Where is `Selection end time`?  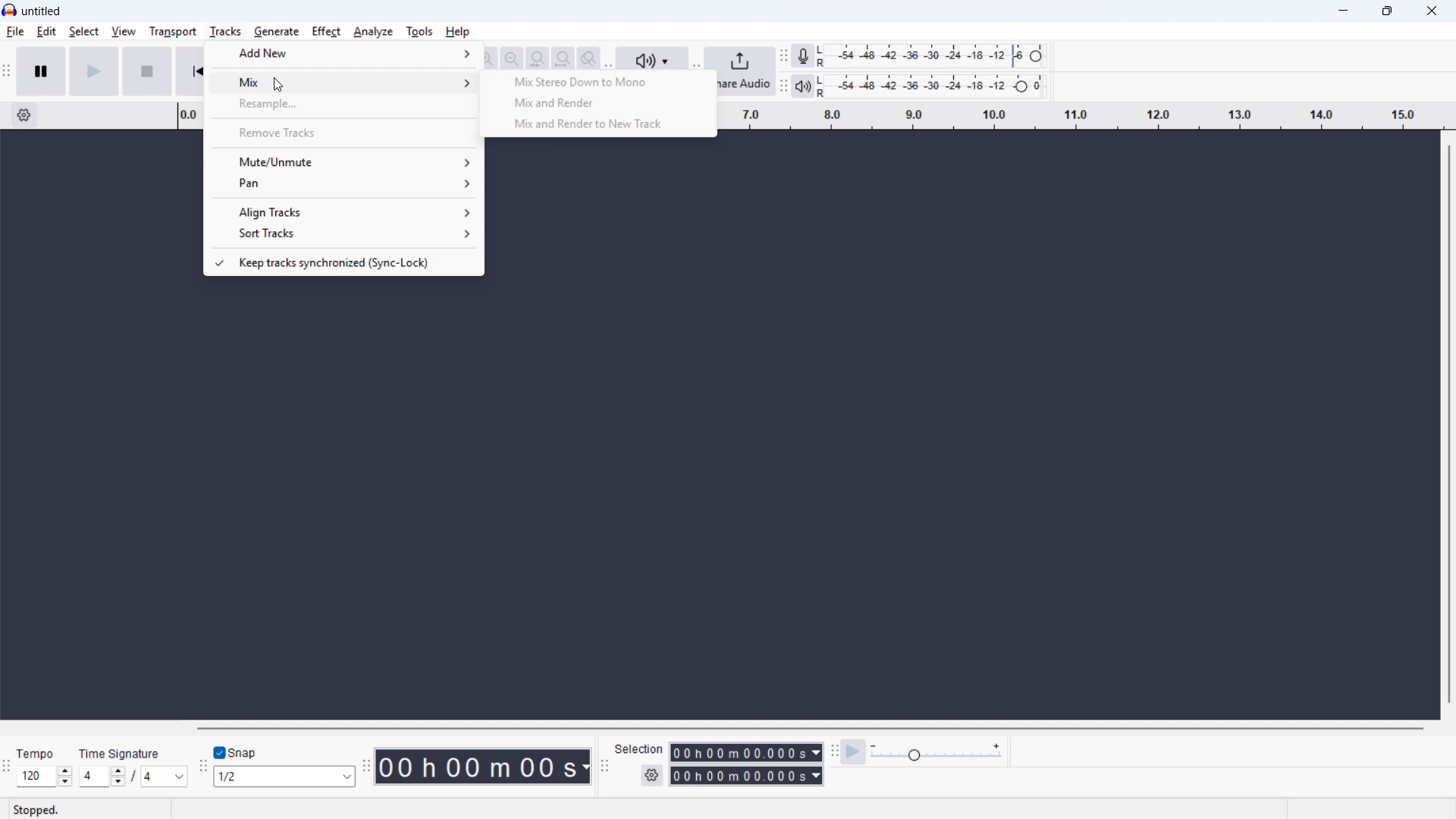 Selection end time is located at coordinates (748, 776).